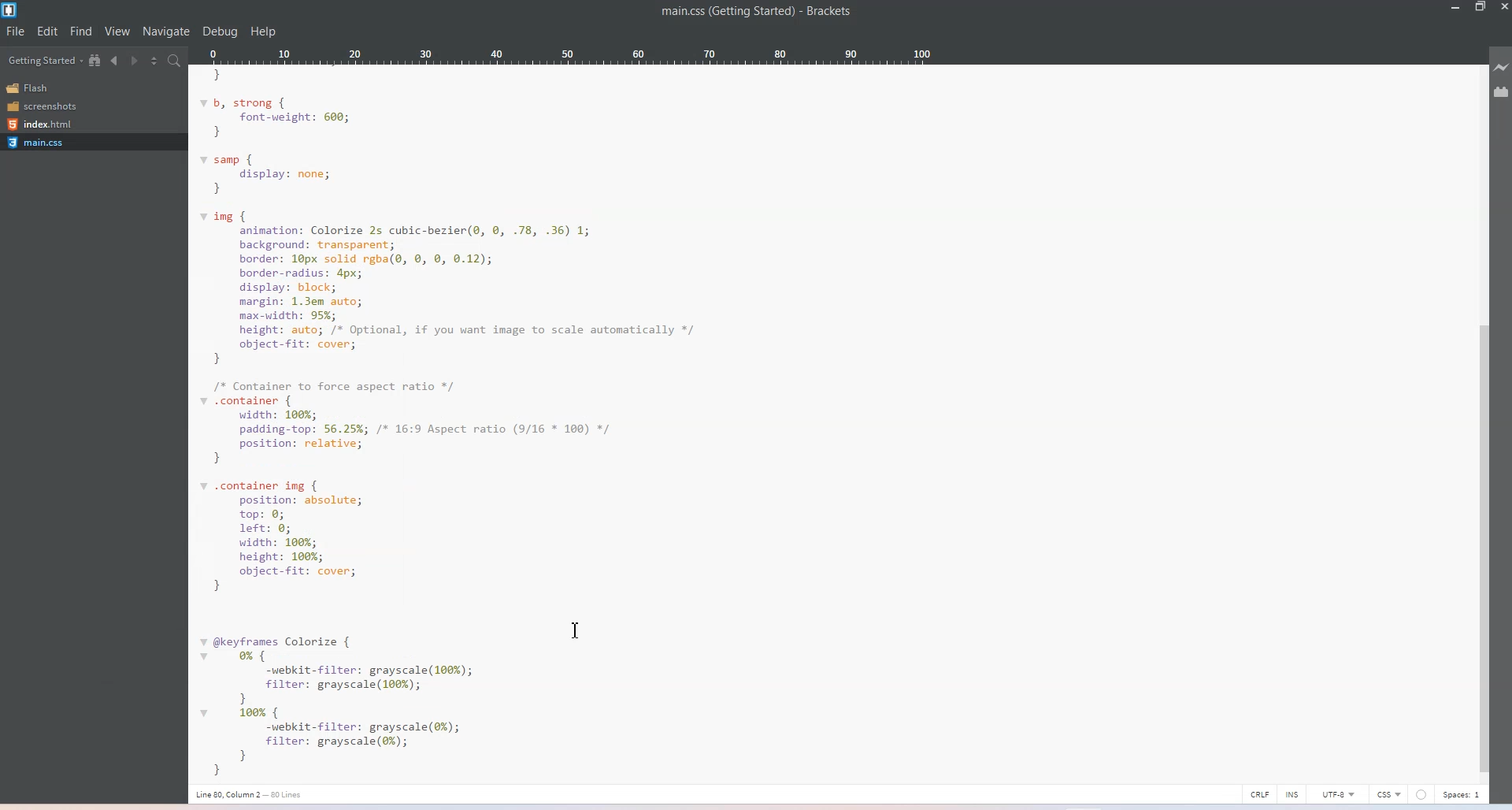 This screenshot has width=1512, height=810. Describe the element at coordinates (95, 60) in the screenshot. I see `Show in file tree` at that location.